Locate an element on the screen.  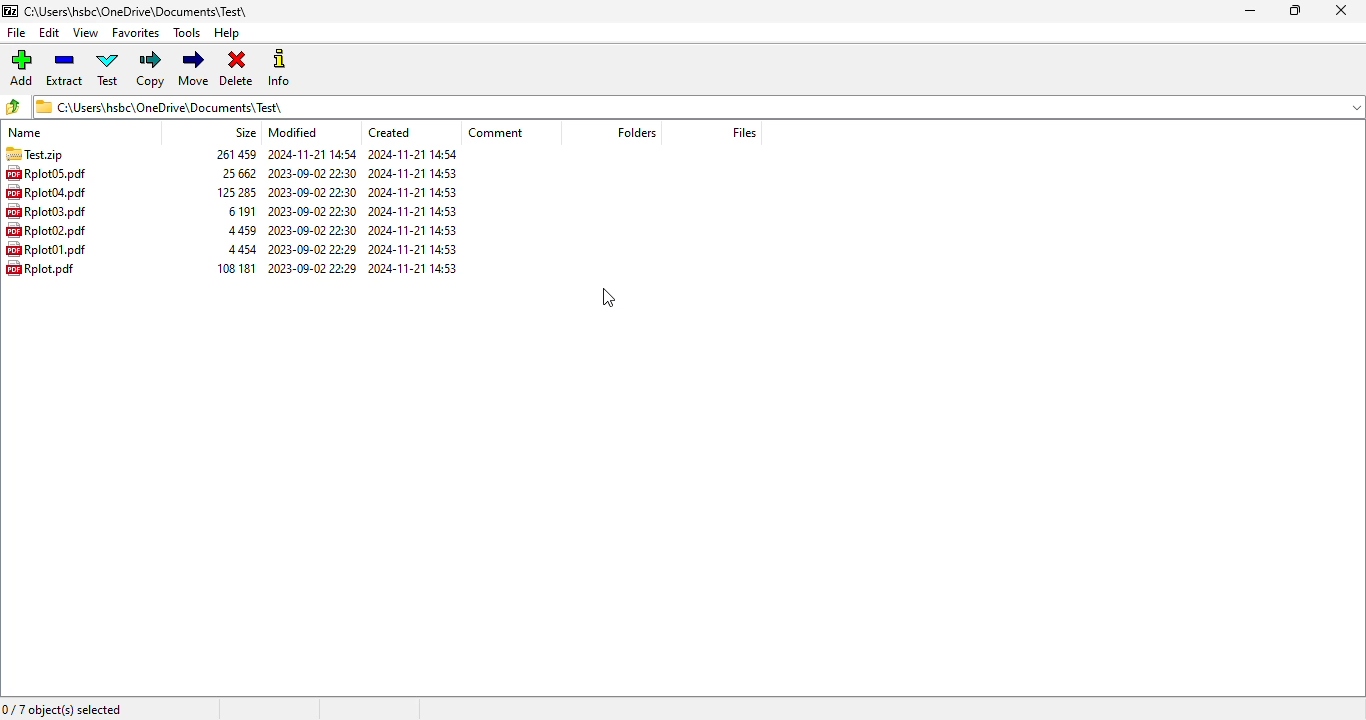
created date & time is located at coordinates (414, 174).